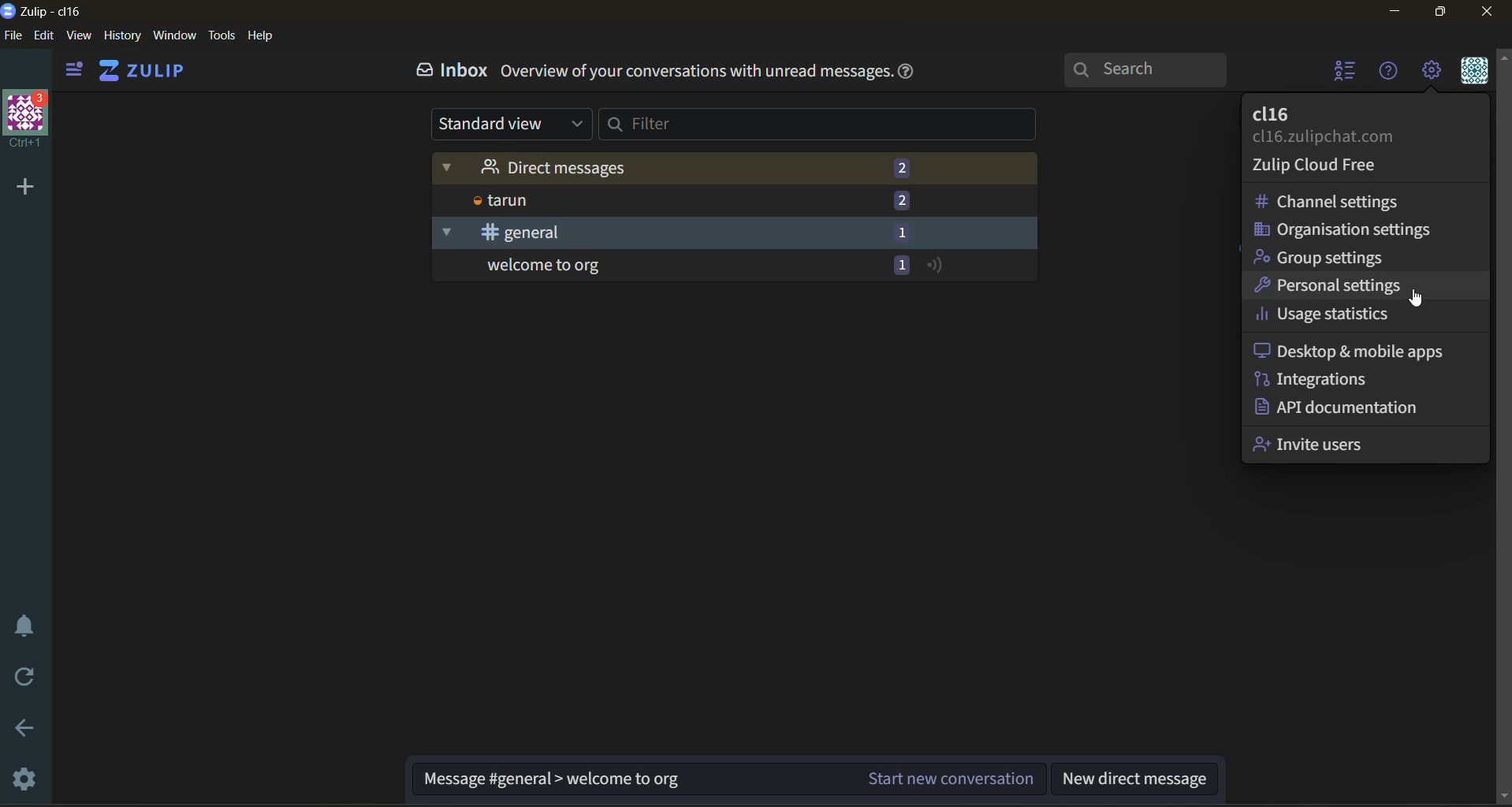 The image size is (1512, 807). Describe the element at coordinates (20, 776) in the screenshot. I see `settings` at that location.